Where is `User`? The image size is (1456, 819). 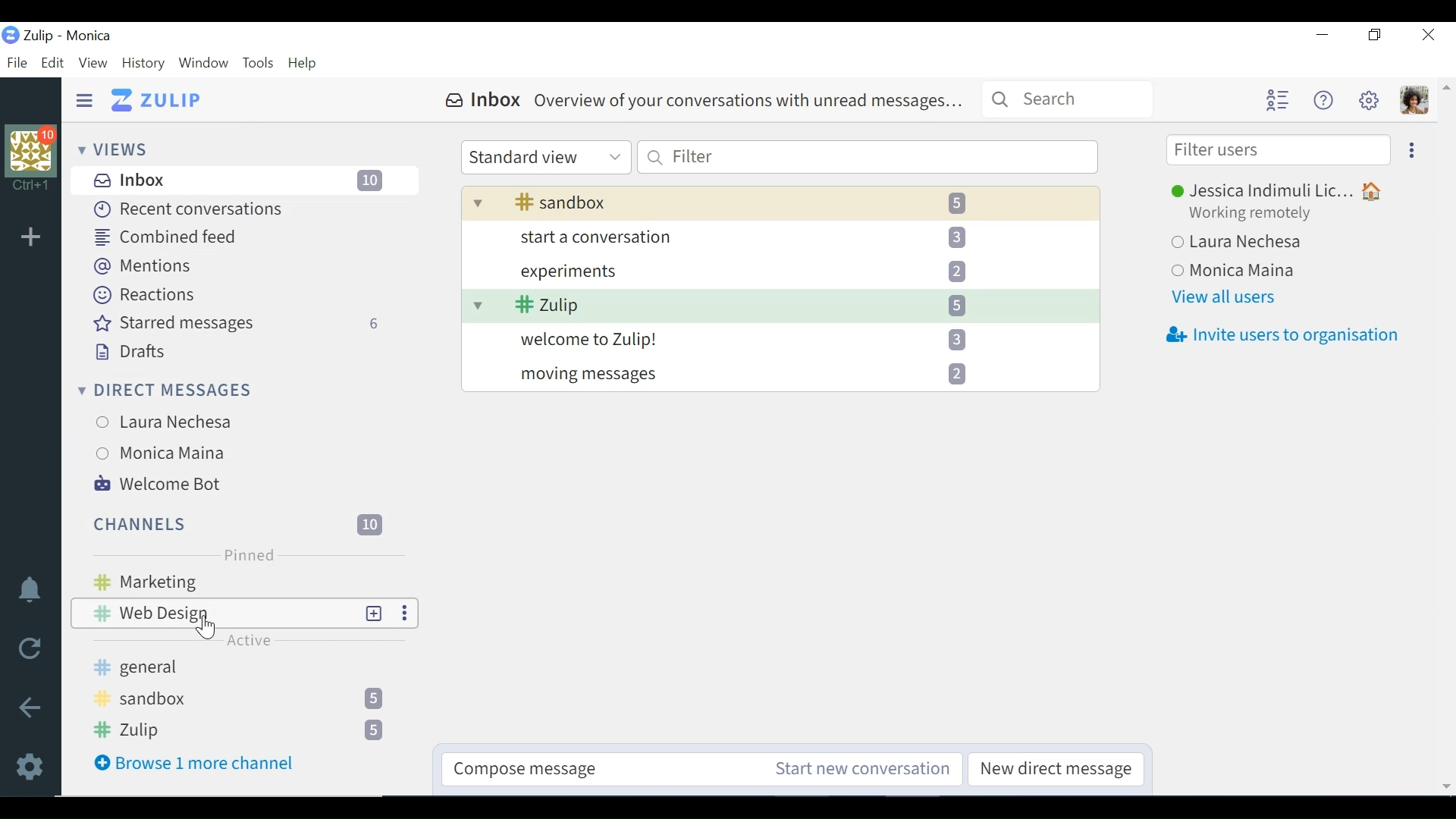
User is located at coordinates (1239, 242).